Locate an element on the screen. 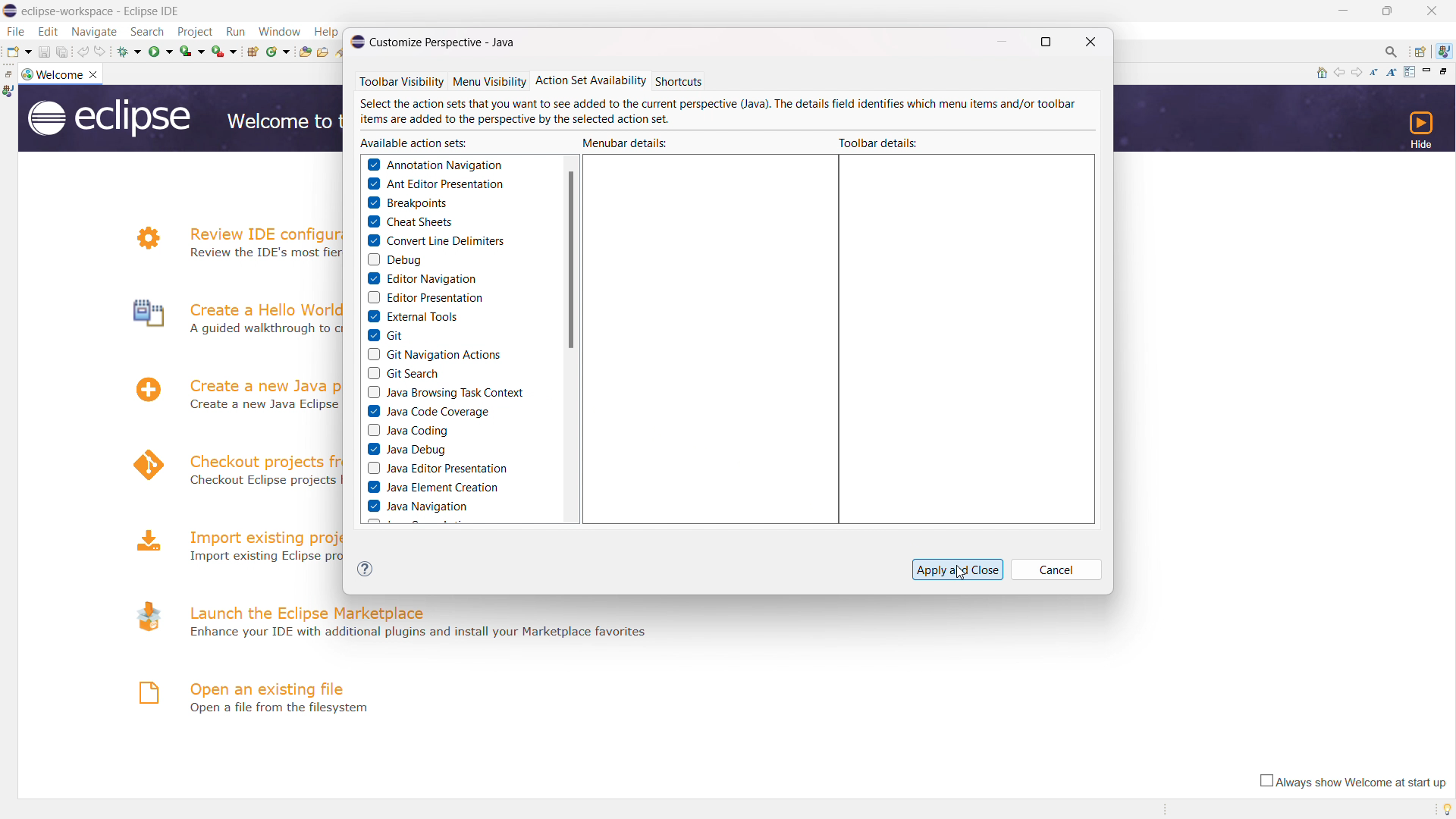  window is located at coordinates (278, 32).